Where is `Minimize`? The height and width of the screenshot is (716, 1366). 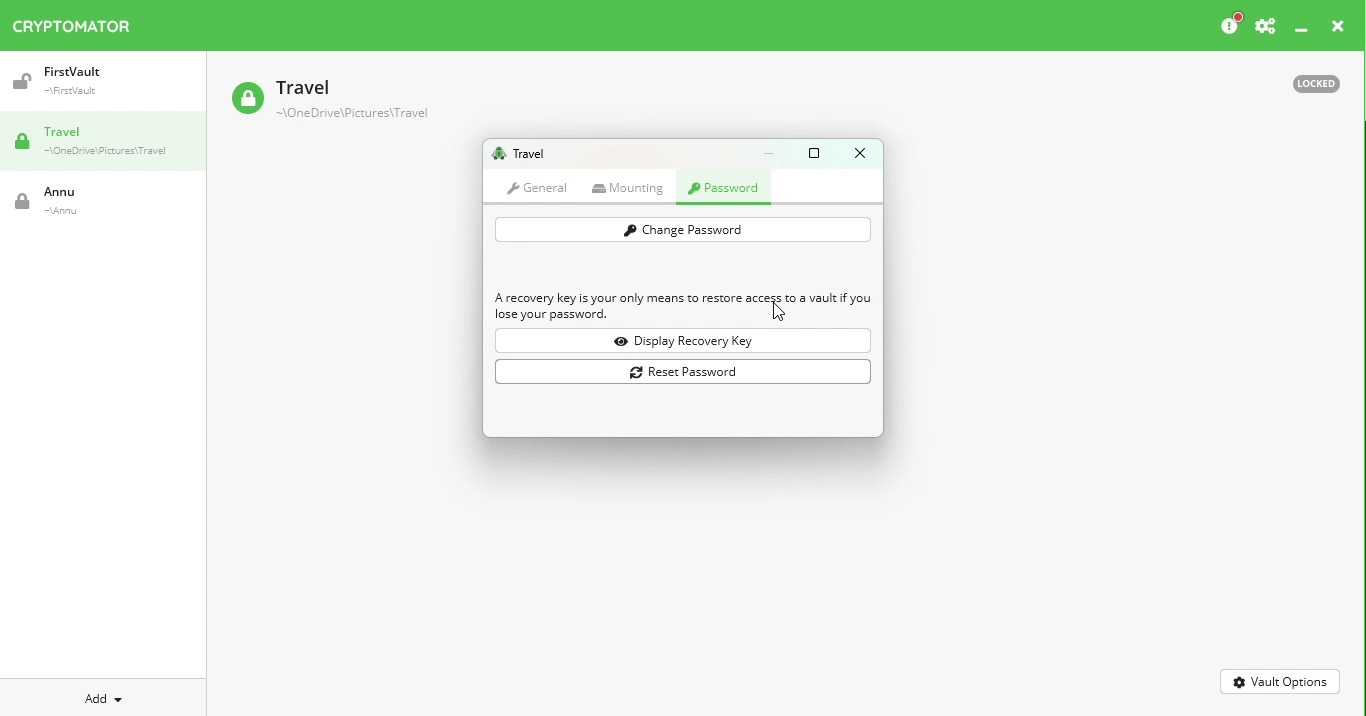
Minimize is located at coordinates (774, 153).